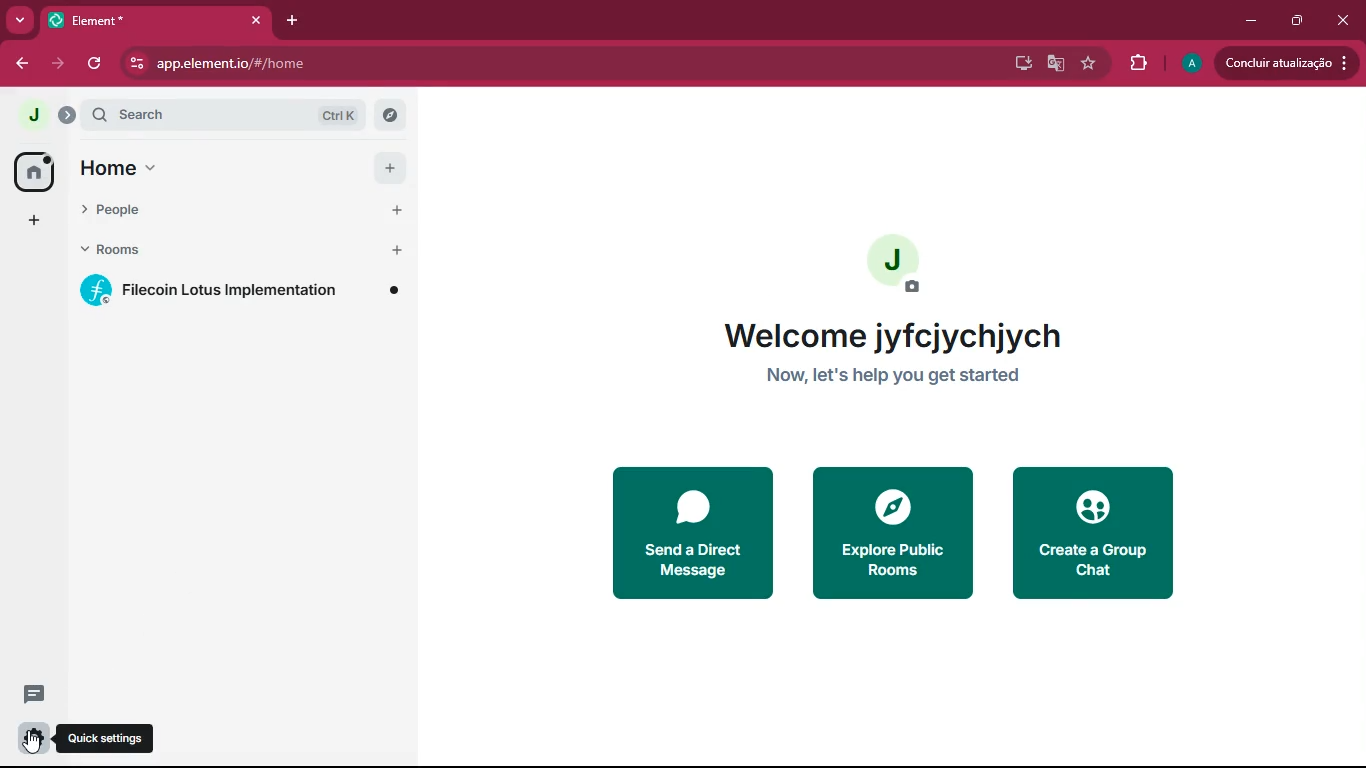 The height and width of the screenshot is (768, 1366). Describe the element at coordinates (32, 742) in the screenshot. I see `cursor` at that location.